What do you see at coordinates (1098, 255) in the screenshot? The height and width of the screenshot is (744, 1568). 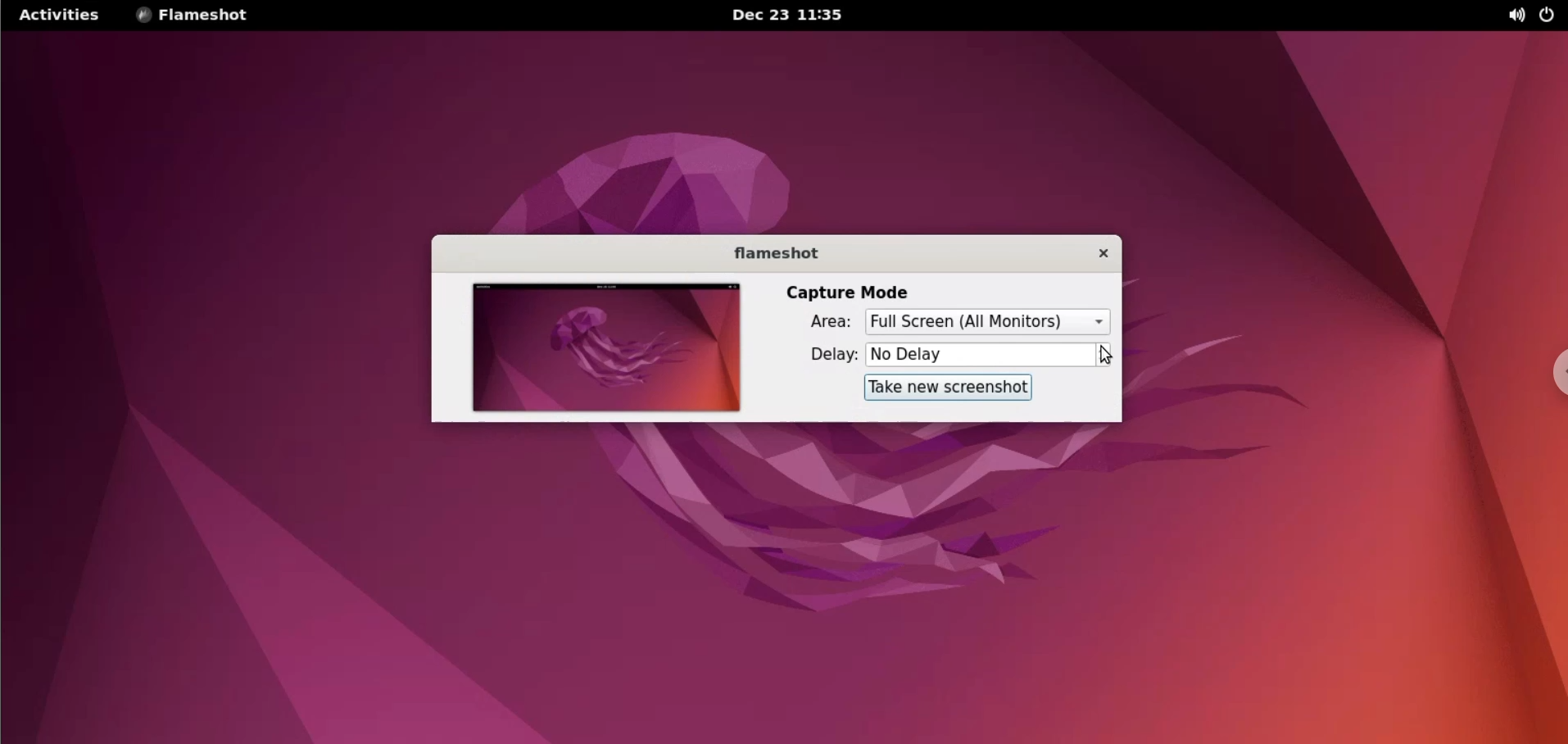 I see `close` at bounding box center [1098, 255].